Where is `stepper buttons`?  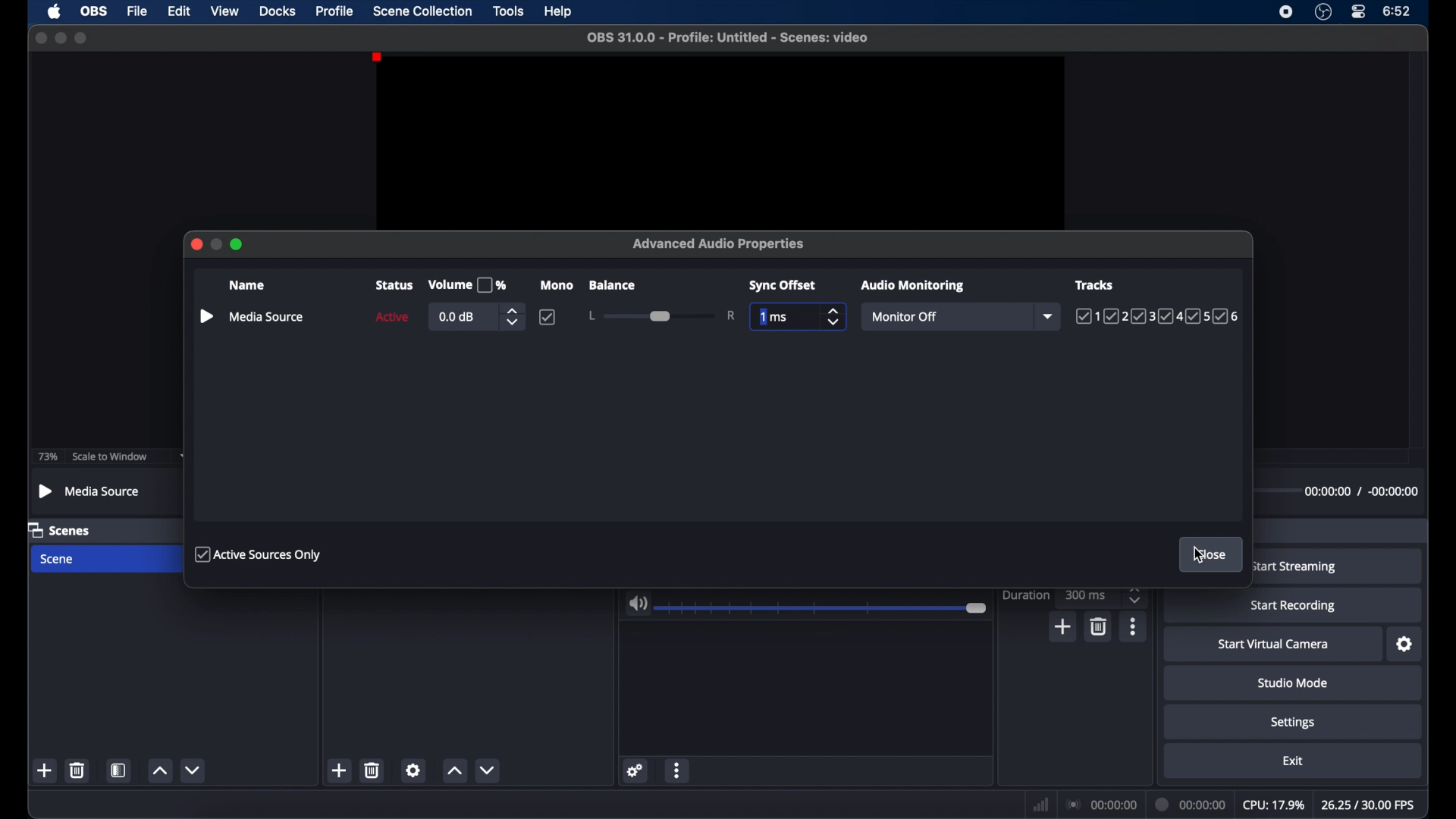 stepper buttons is located at coordinates (1136, 595).